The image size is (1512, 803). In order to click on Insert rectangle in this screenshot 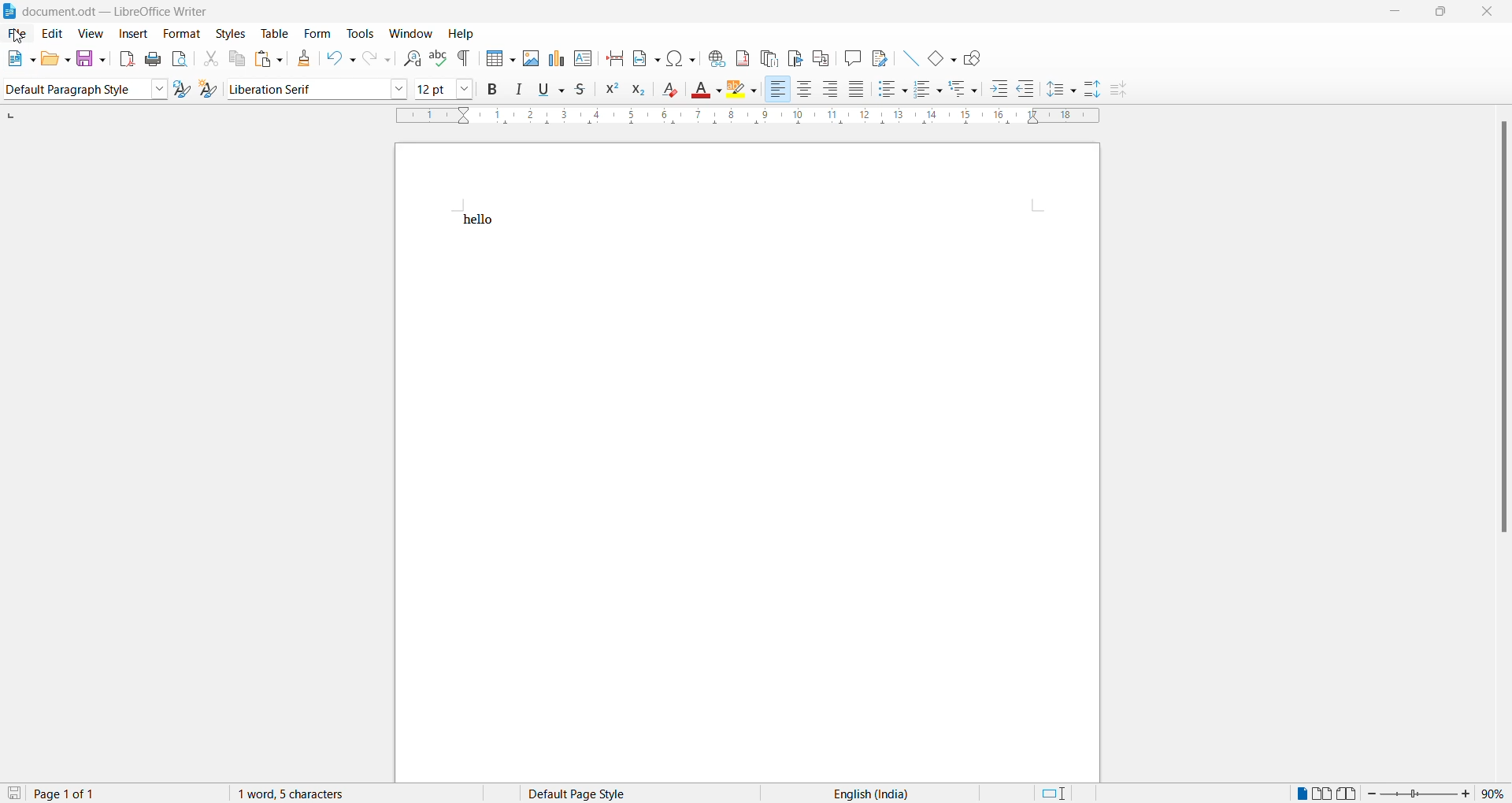, I will do `click(942, 60)`.